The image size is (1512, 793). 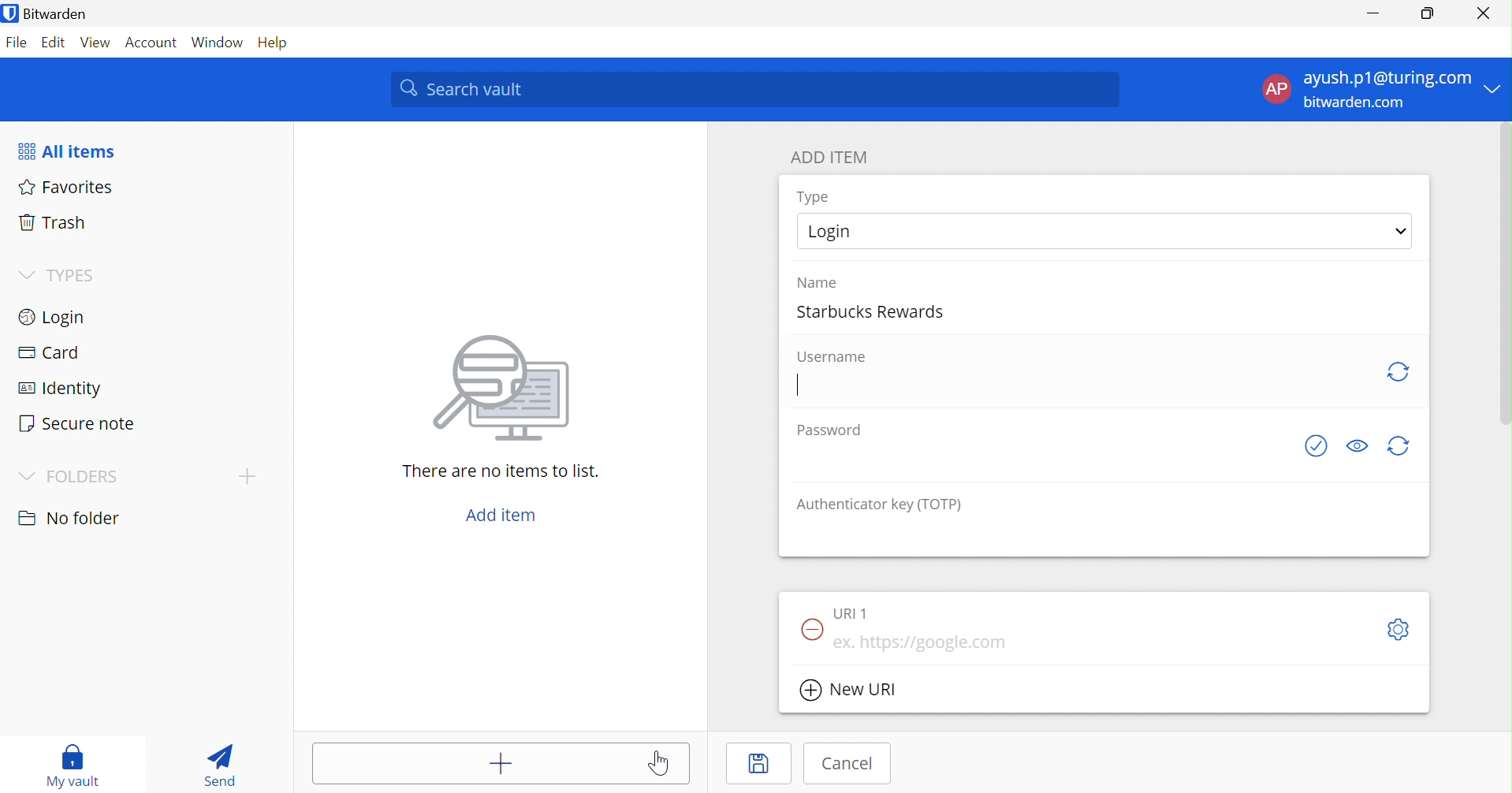 What do you see at coordinates (505, 516) in the screenshot?
I see `Add item` at bounding box center [505, 516].